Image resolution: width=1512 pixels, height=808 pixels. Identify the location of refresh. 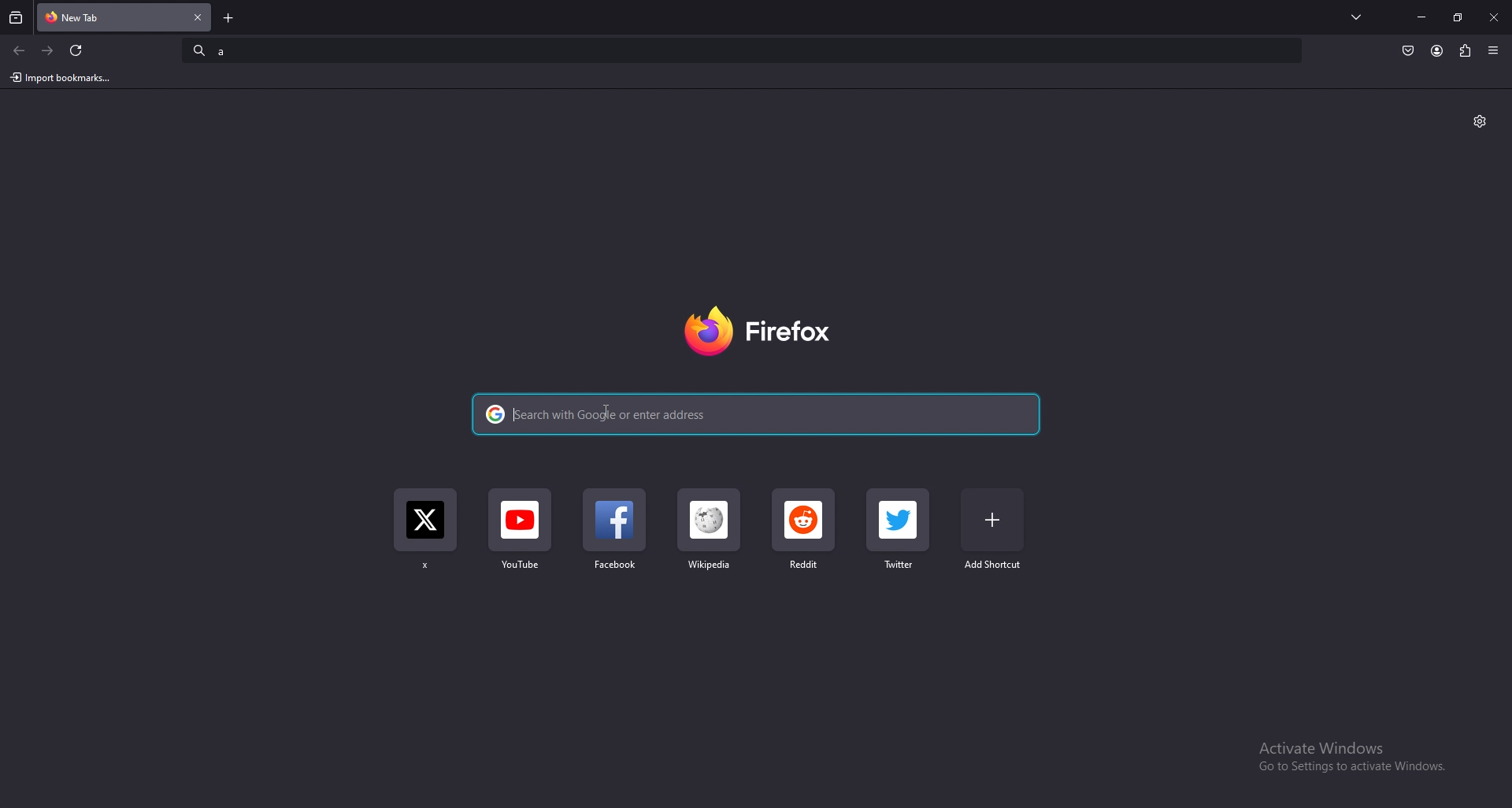
(76, 50).